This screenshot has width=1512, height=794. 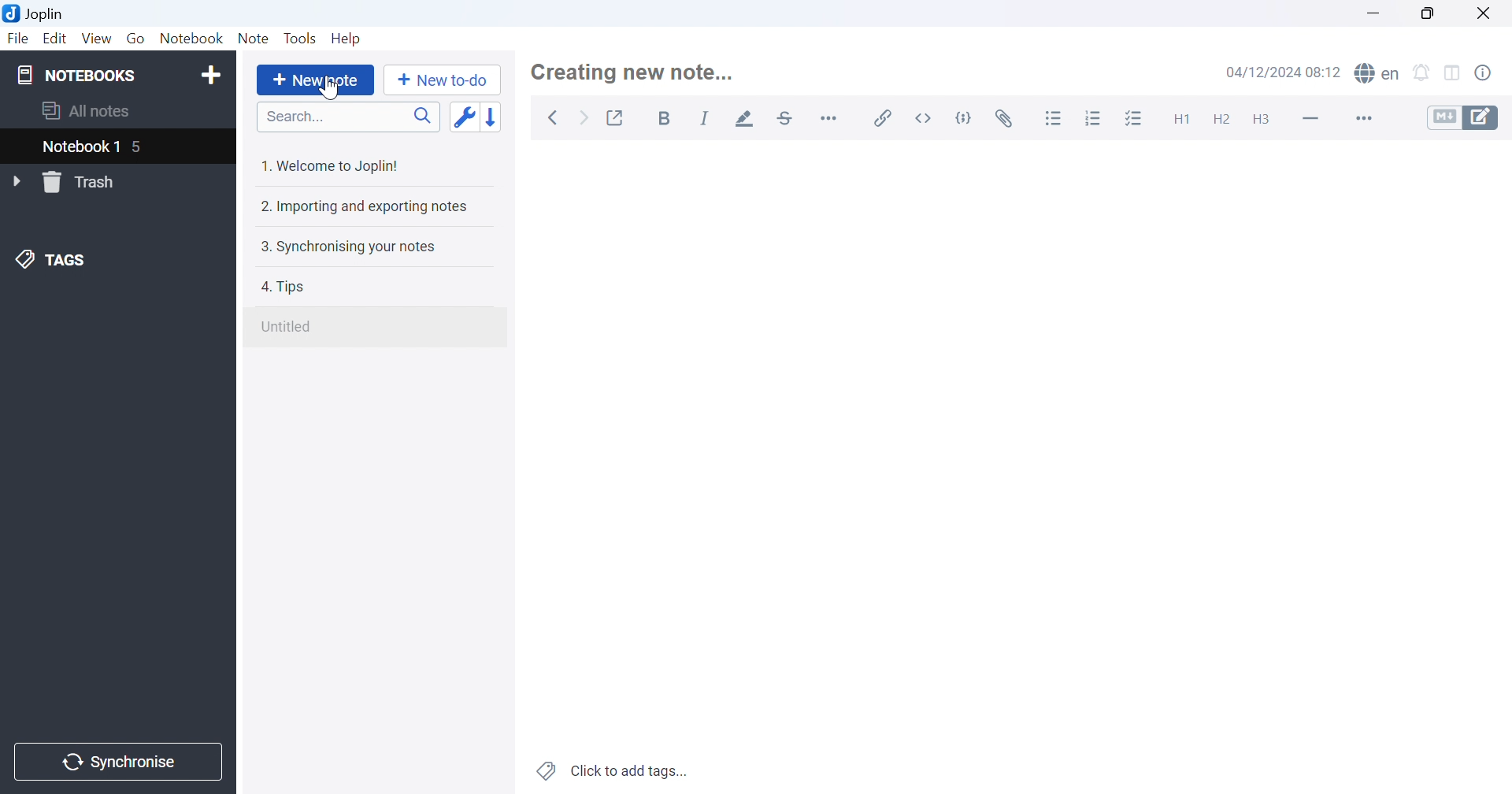 What do you see at coordinates (1376, 10) in the screenshot?
I see `Minimize` at bounding box center [1376, 10].